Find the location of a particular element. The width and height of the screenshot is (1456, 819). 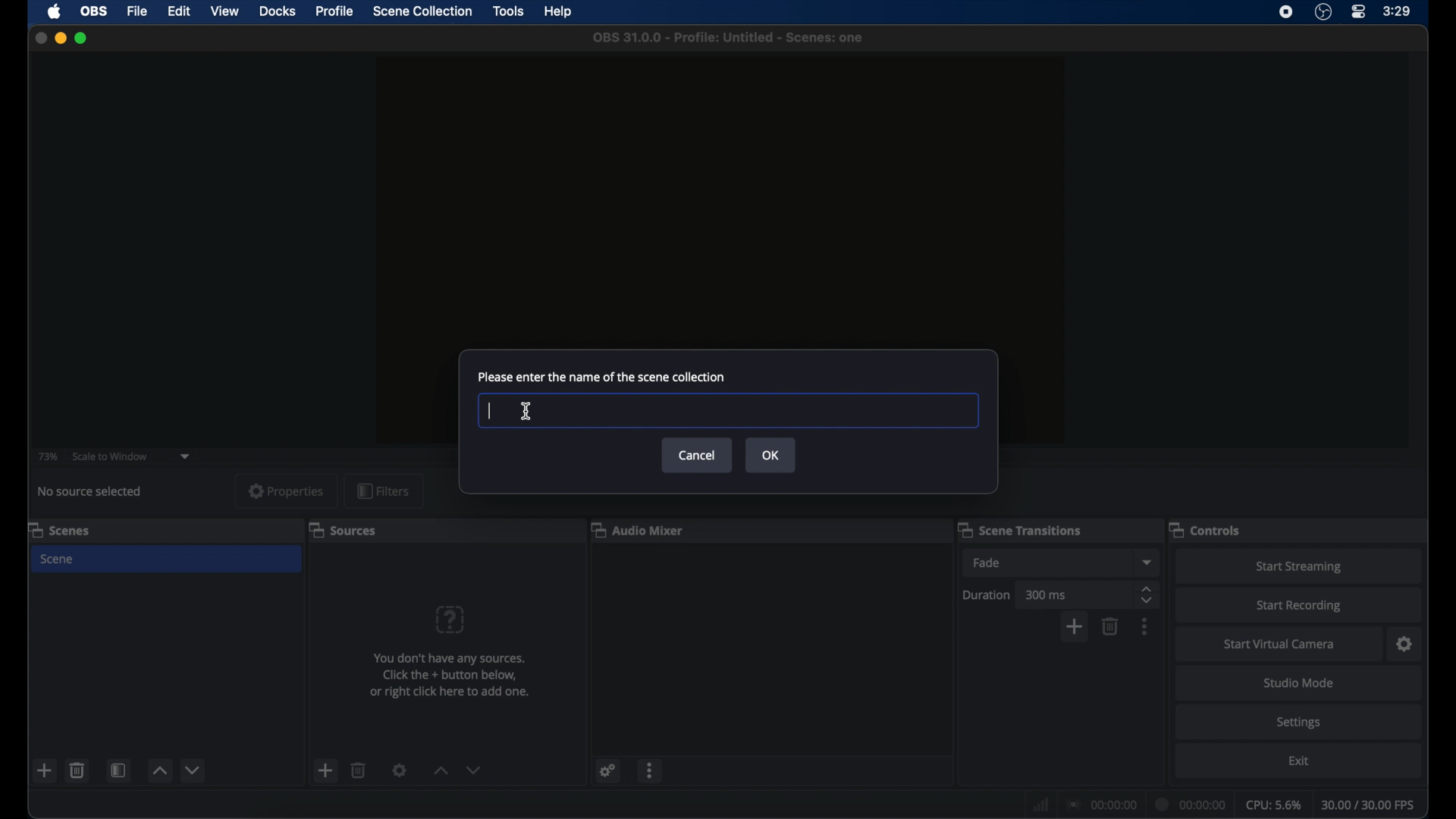

profile is located at coordinates (335, 11).